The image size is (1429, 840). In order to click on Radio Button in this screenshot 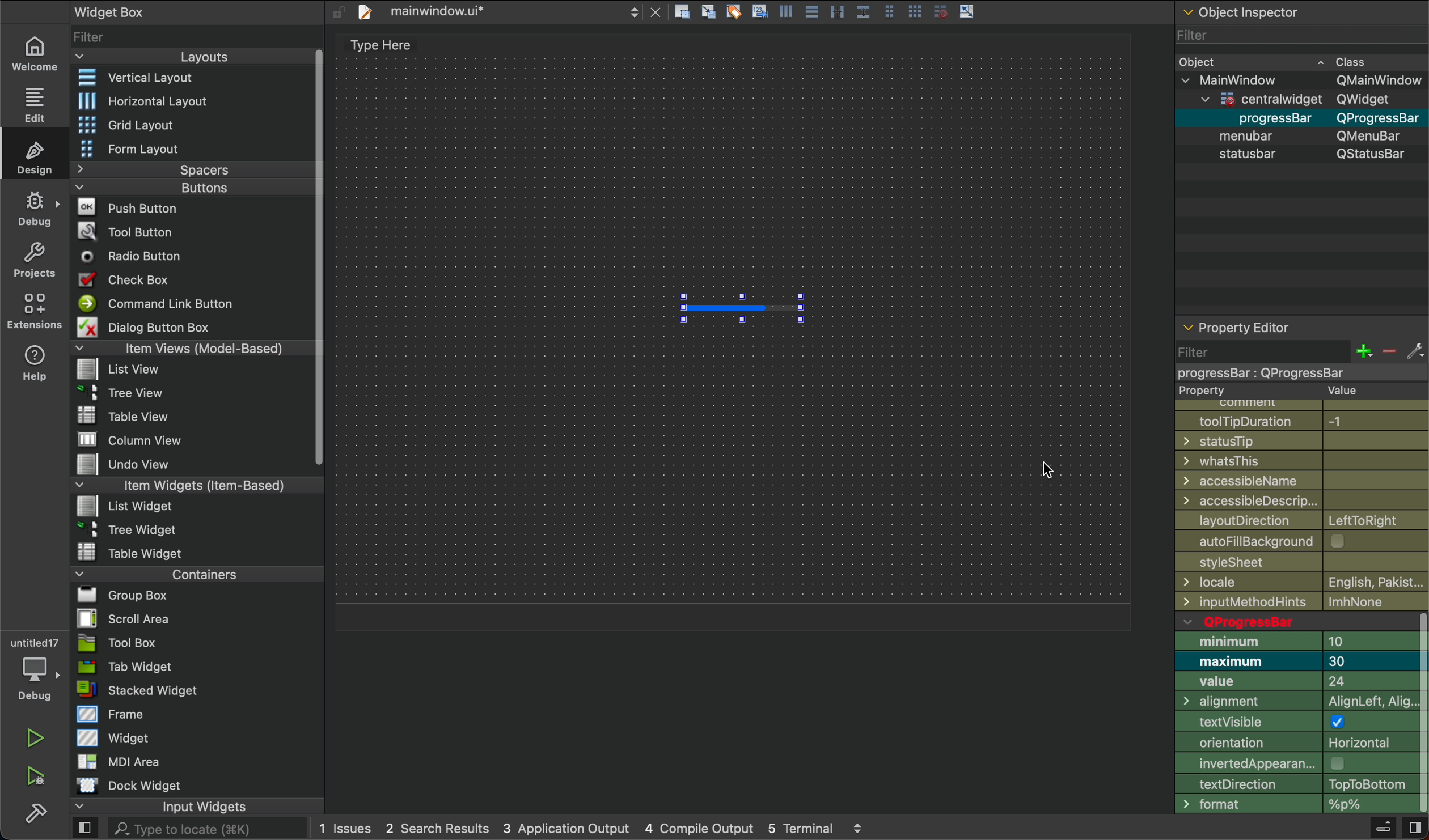, I will do `click(136, 256)`.